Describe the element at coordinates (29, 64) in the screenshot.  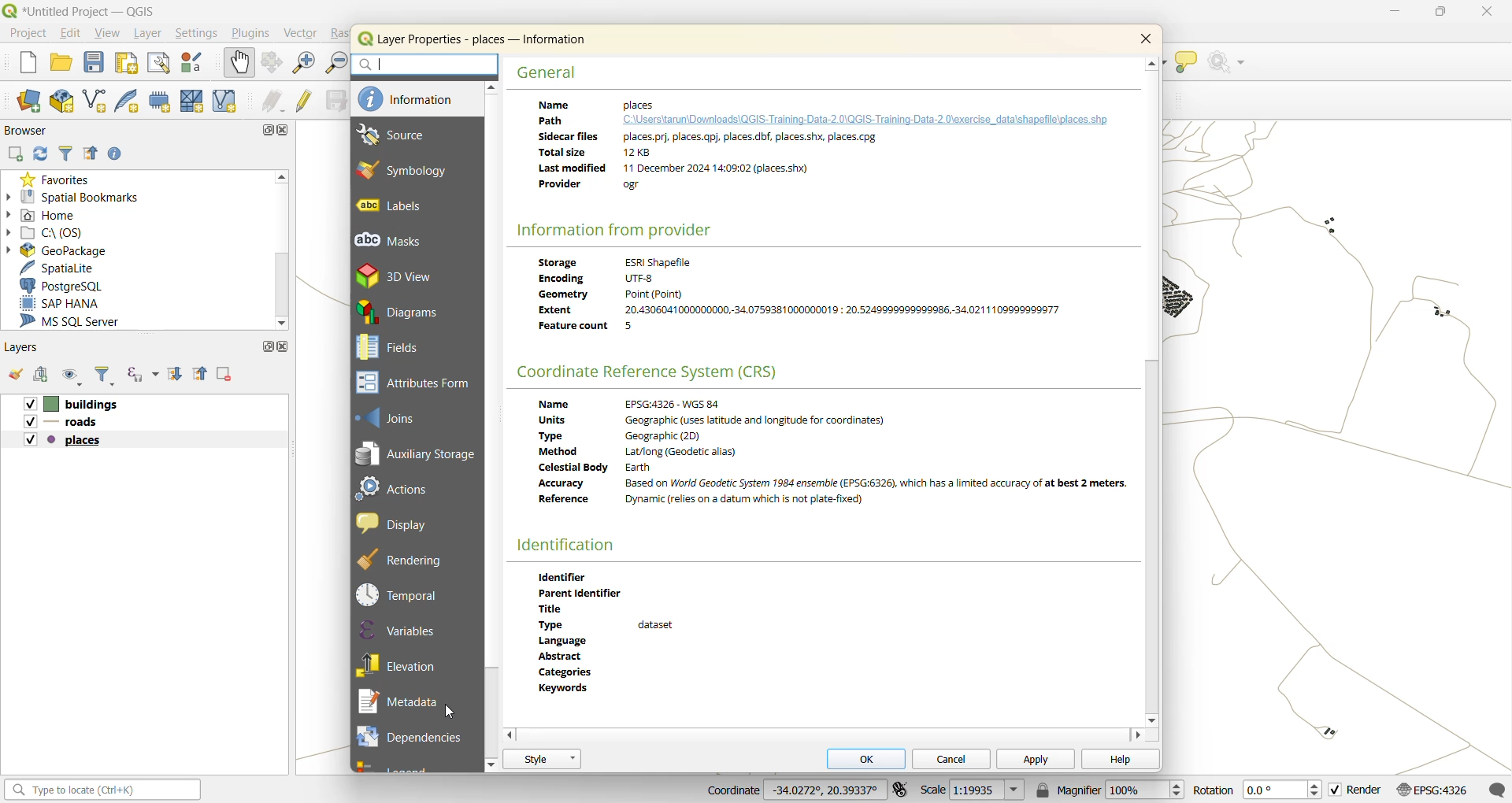
I see `new` at that location.